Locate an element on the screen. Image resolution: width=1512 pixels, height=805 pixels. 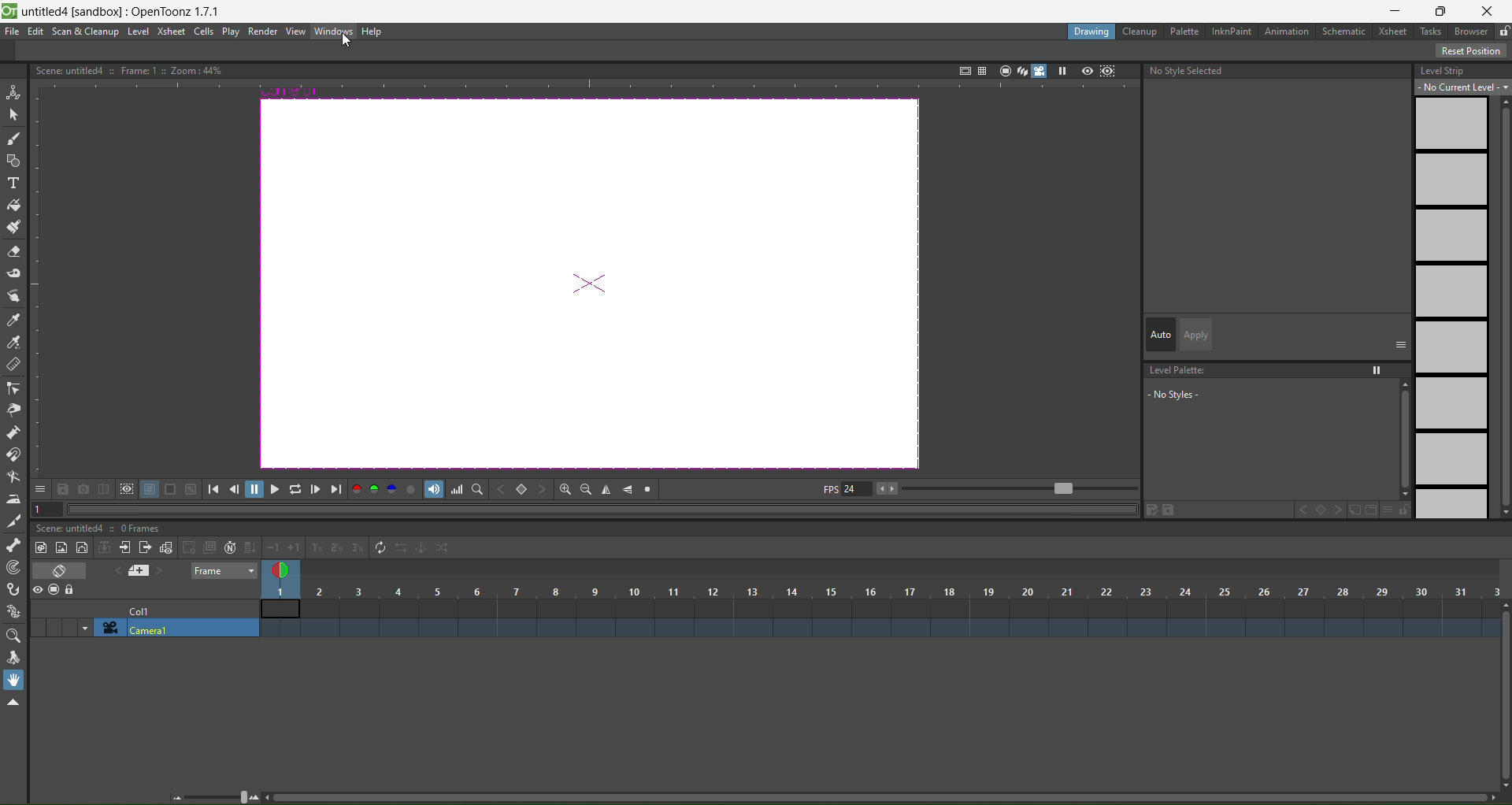
new vector level is located at coordinates (82, 548).